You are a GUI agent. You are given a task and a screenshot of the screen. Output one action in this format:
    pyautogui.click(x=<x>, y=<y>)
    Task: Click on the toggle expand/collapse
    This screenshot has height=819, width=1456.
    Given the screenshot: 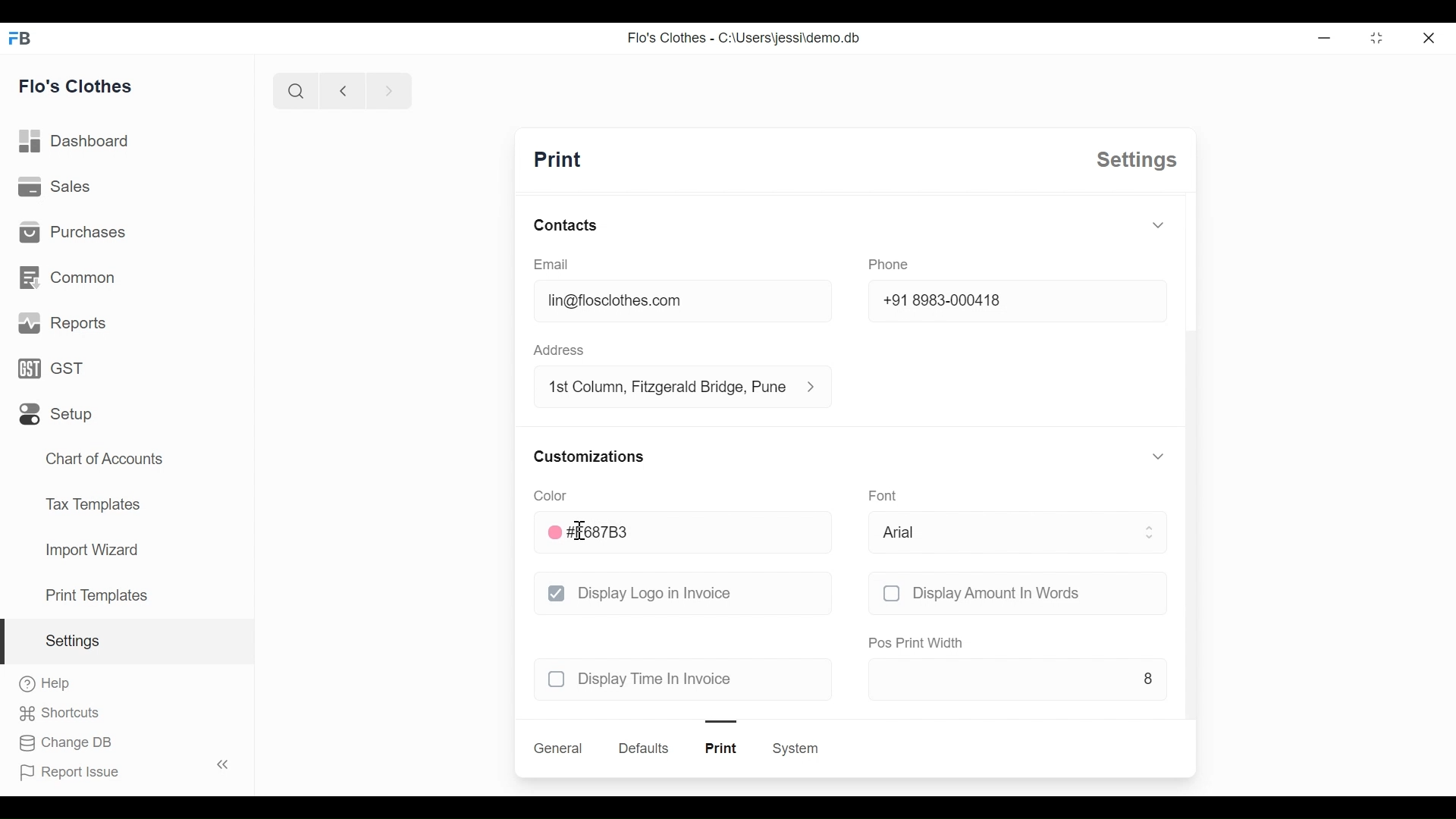 What is the action you would take?
    pyautogui.click(x=1158, y=224)
    